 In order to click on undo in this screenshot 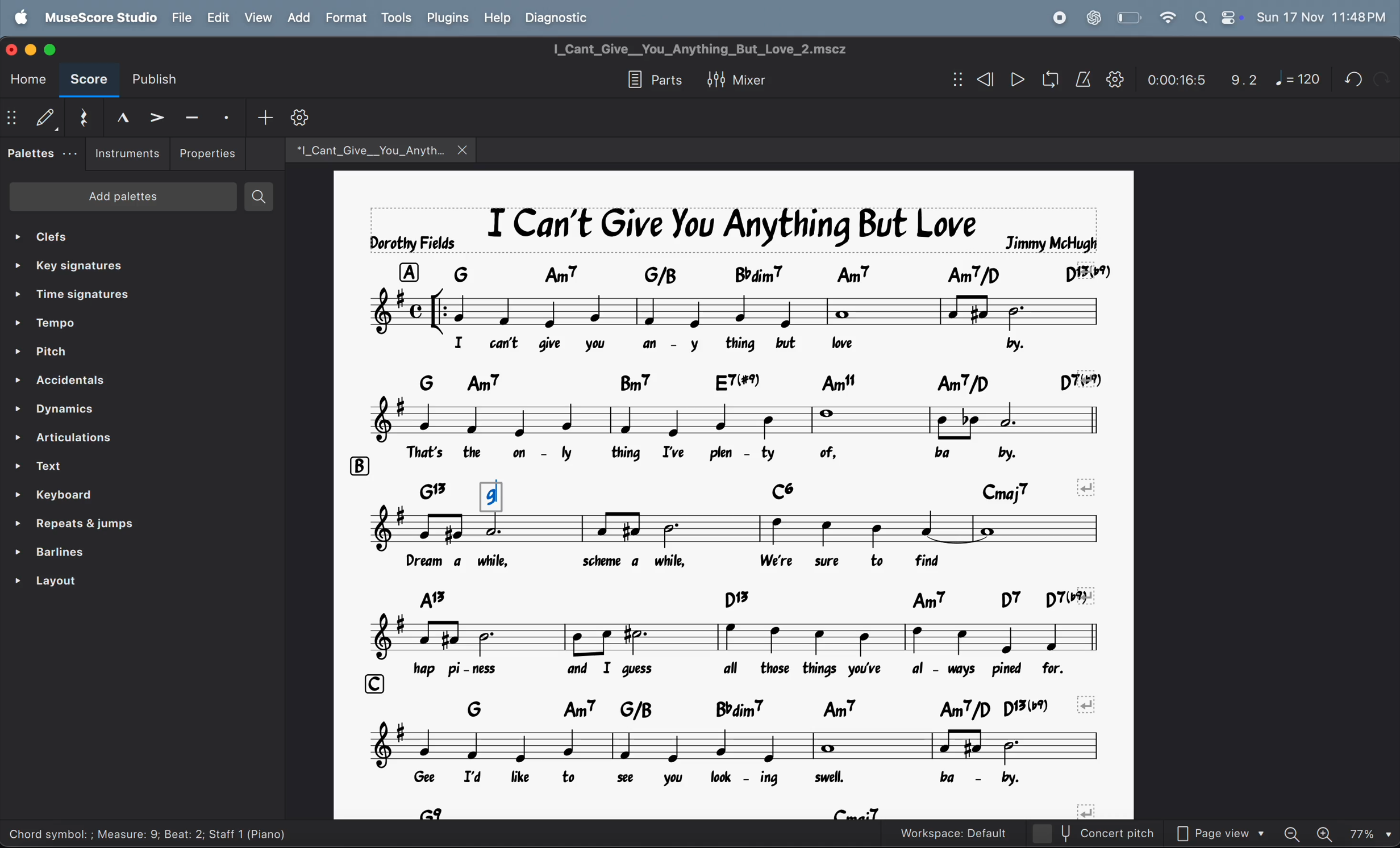, I will do `click(1349, 80)`.